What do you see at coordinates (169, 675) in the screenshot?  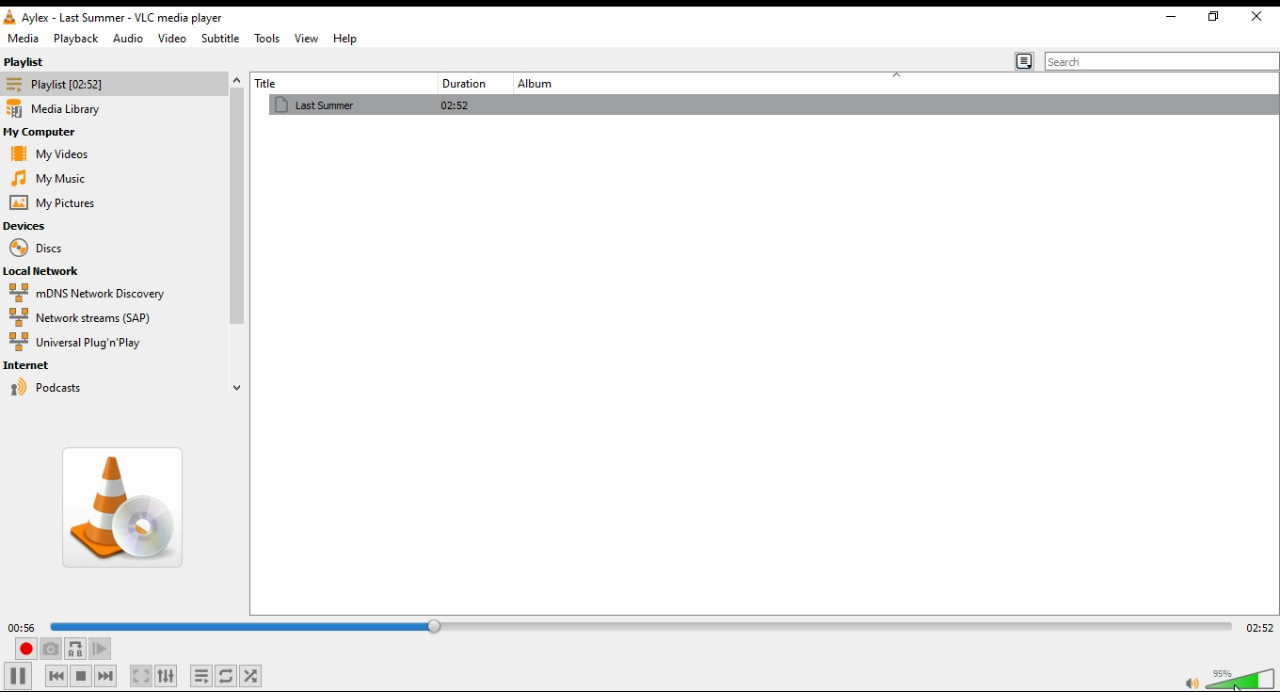 I see `show extended settings` at bounding box center [169, 675].